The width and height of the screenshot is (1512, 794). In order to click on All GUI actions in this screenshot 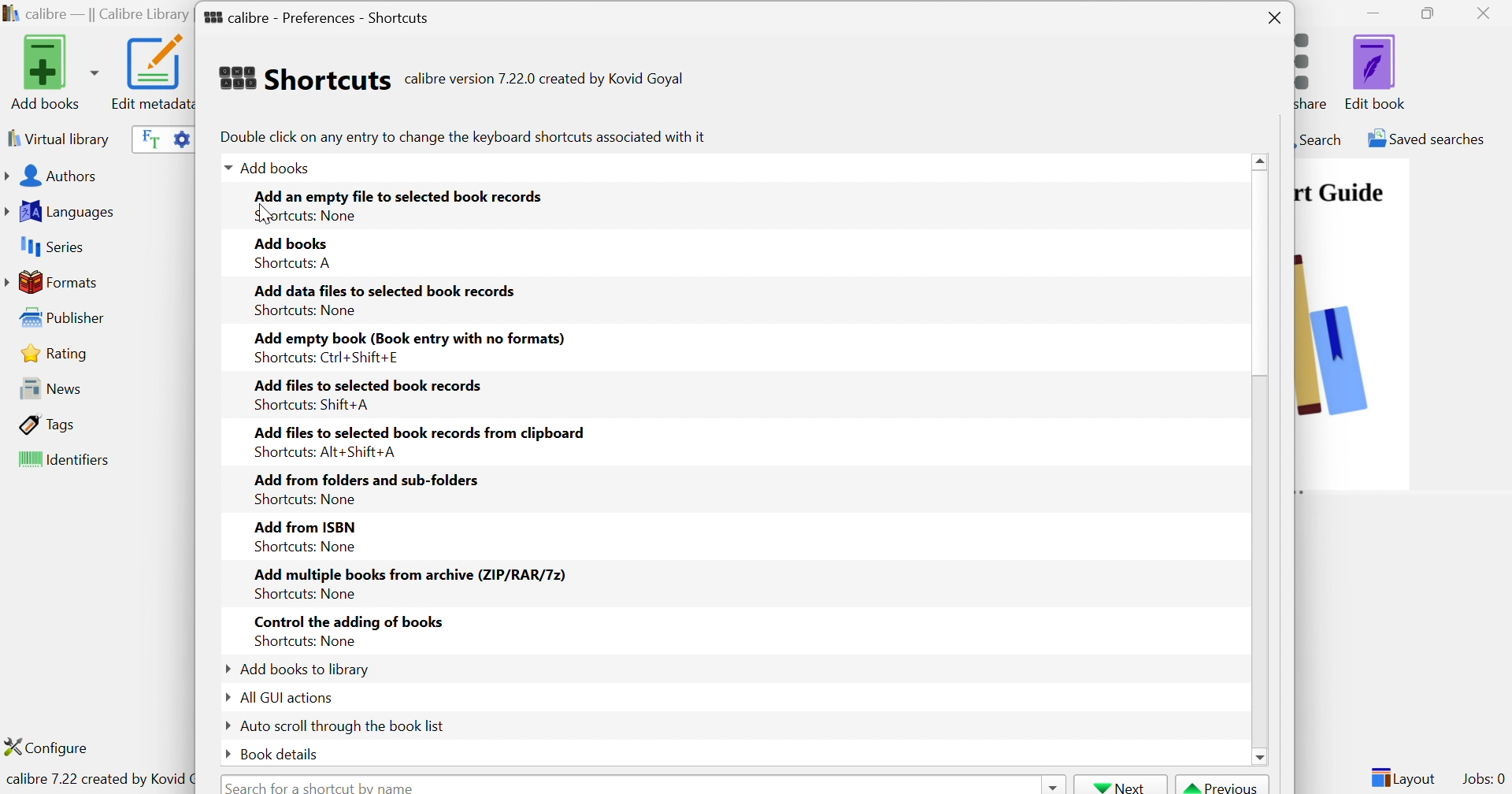, I will do `click(287, 698)`.